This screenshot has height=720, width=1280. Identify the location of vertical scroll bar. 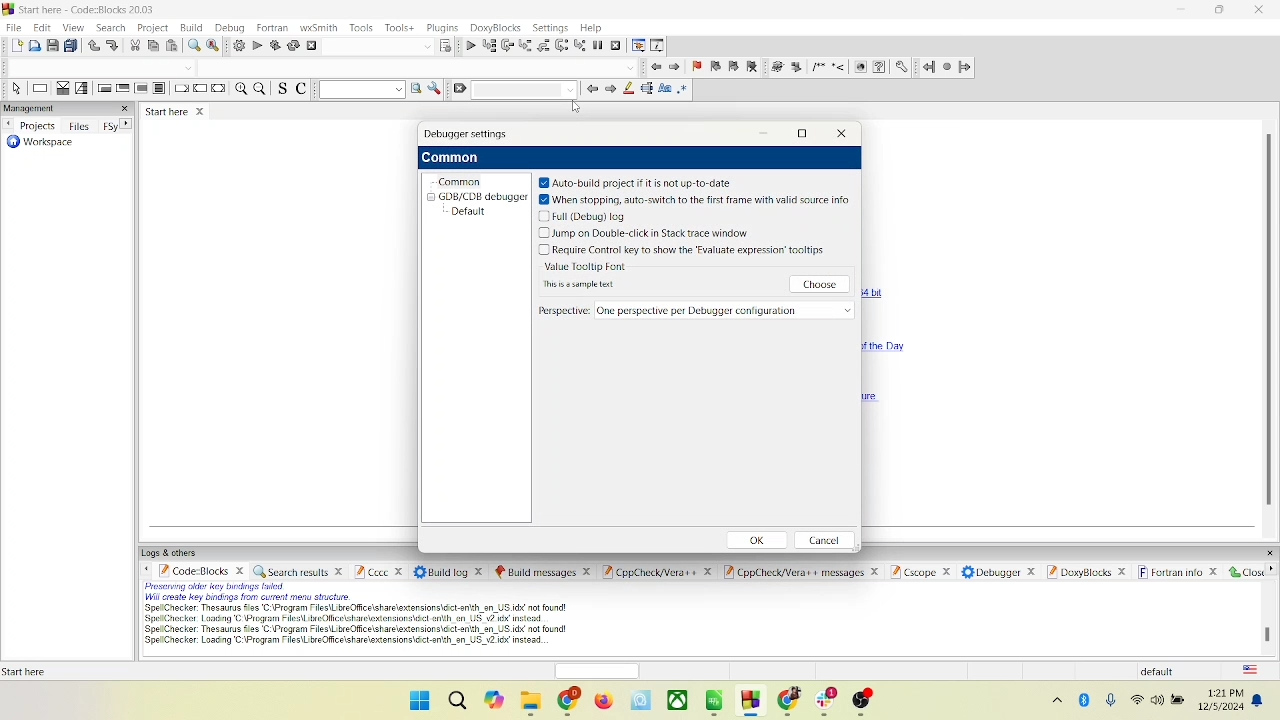
(1270, 327).